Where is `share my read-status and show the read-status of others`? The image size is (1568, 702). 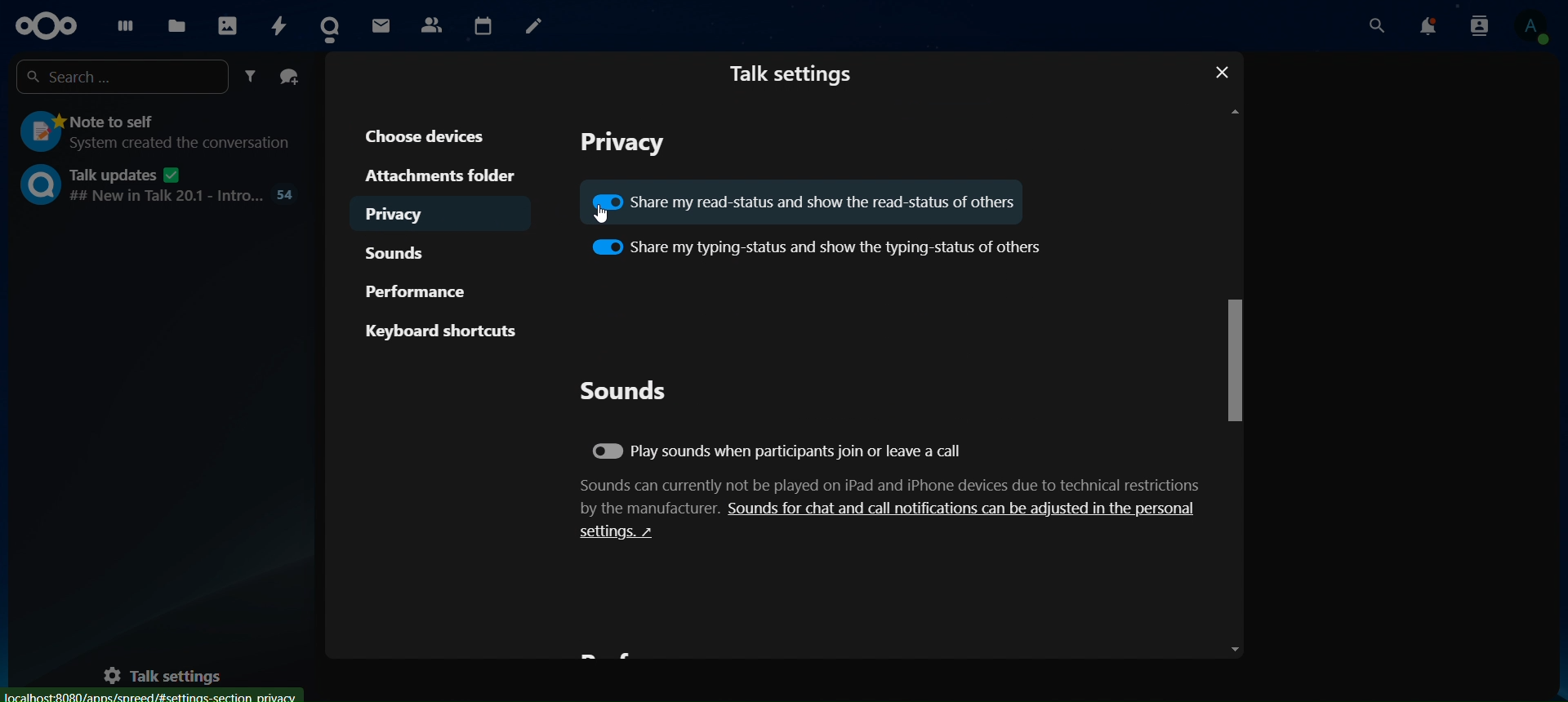
share my read-status and show the read-status of others is located at coordinates (805, 199).